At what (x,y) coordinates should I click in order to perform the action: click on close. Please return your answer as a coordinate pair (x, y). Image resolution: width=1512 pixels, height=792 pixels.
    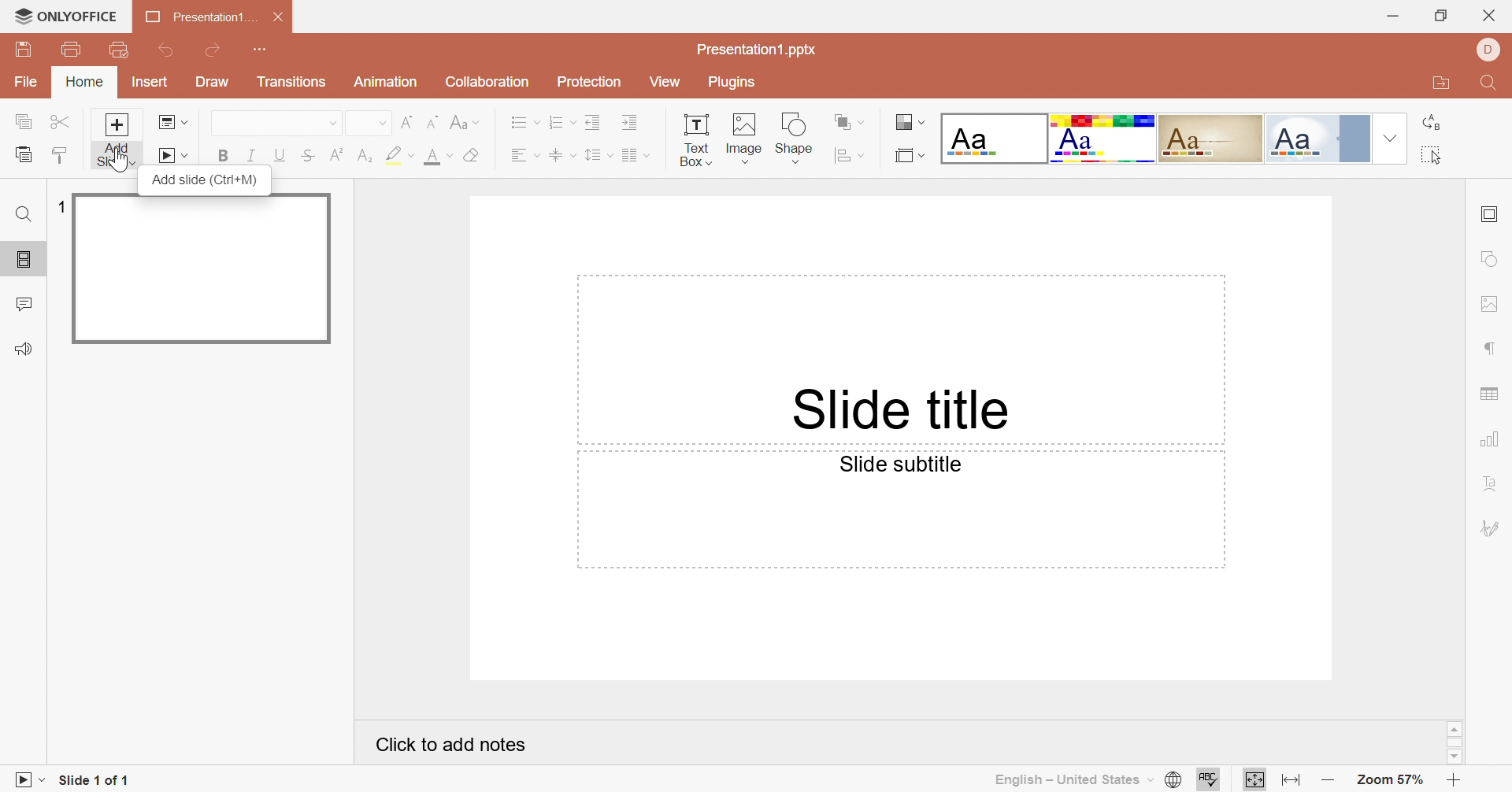
    Looking at the image, I should click on (1488, 17).